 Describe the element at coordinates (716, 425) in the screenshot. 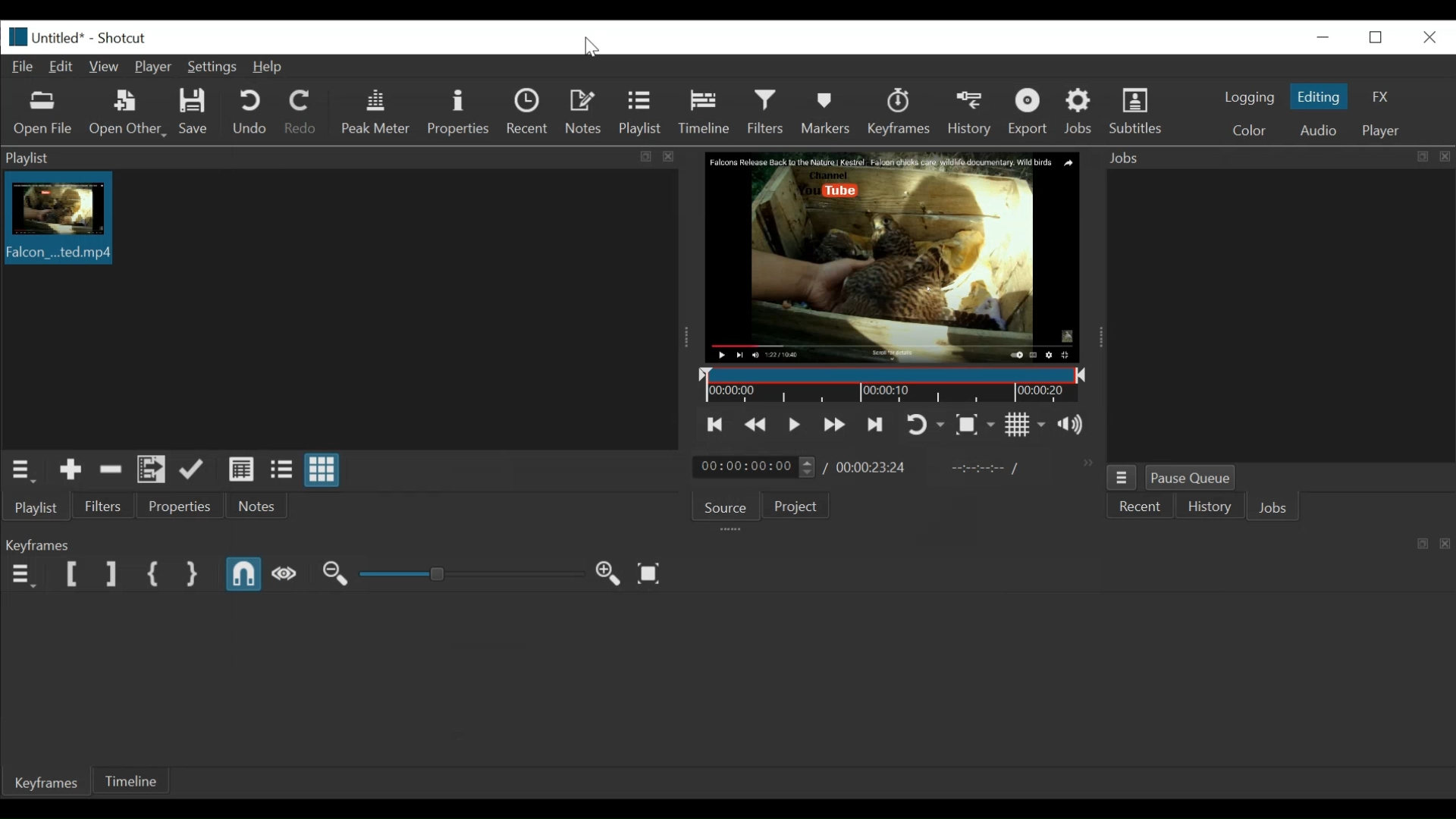

I see `Skip to the previous point` at that location.